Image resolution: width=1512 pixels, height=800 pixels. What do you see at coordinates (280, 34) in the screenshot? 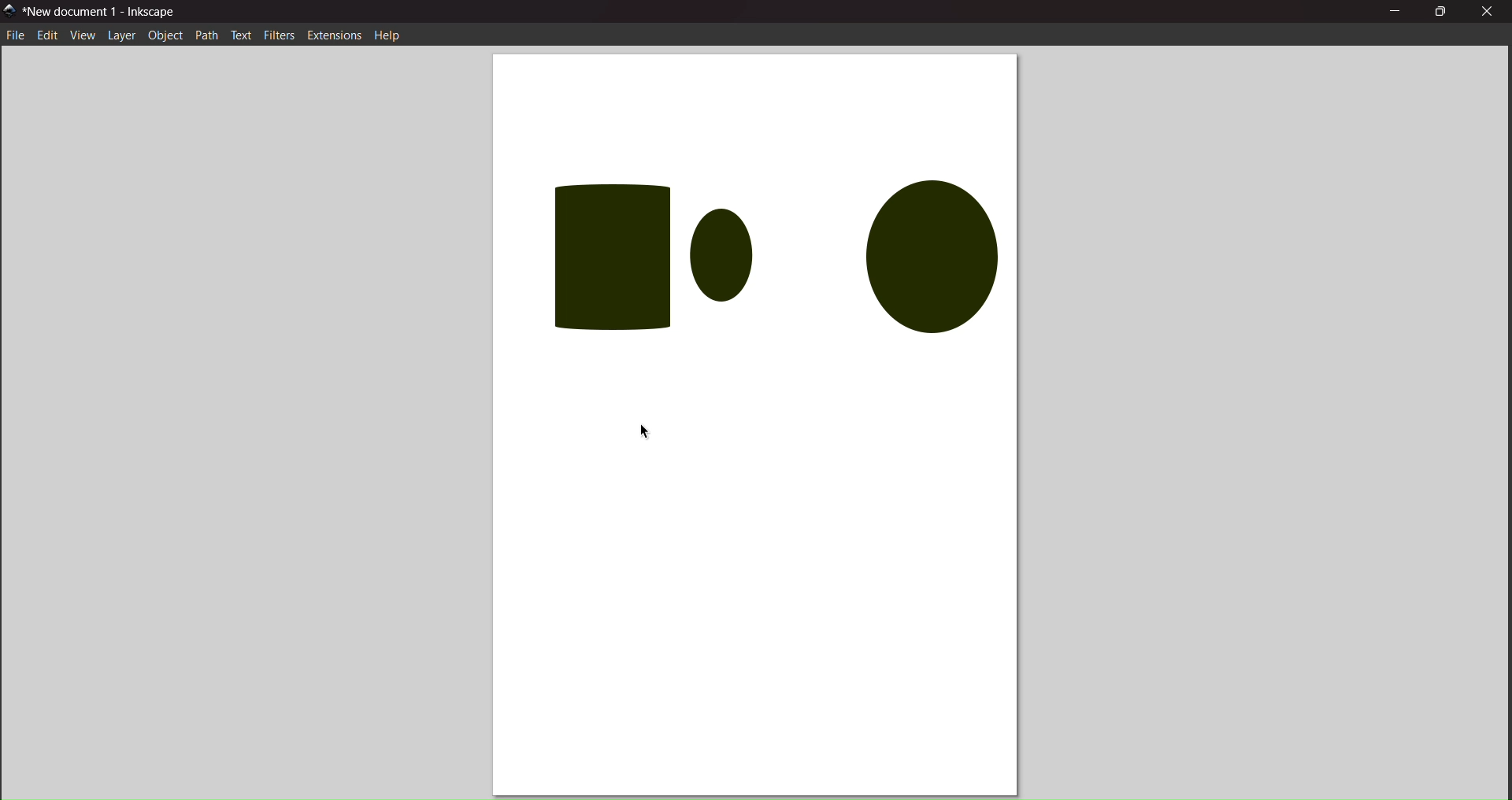
I see `filters` at bounding box center [280, 34].